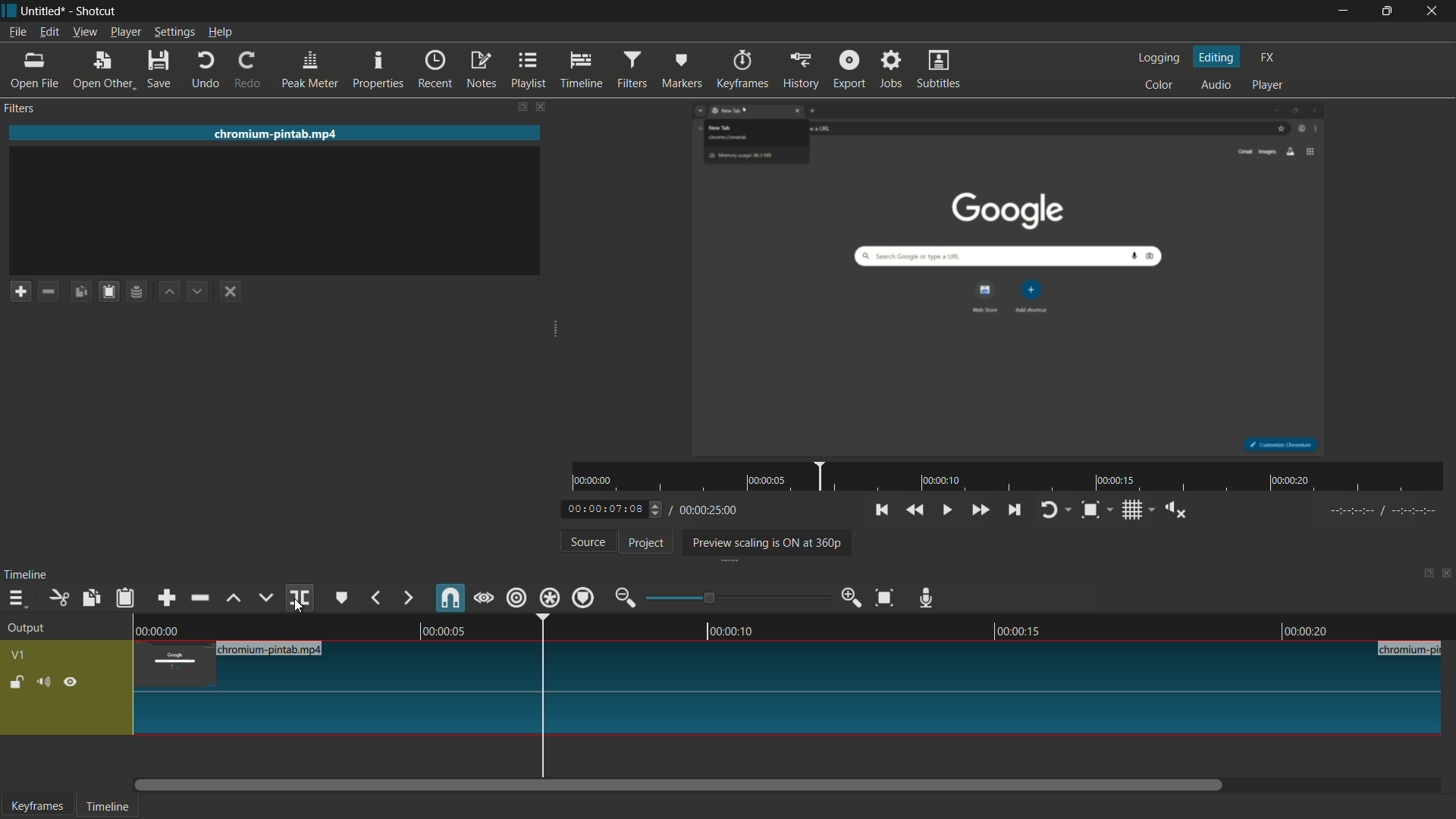 The height and width of the screenshot is (819, 1456). I want to click on video in timeline, so click(788, 689).